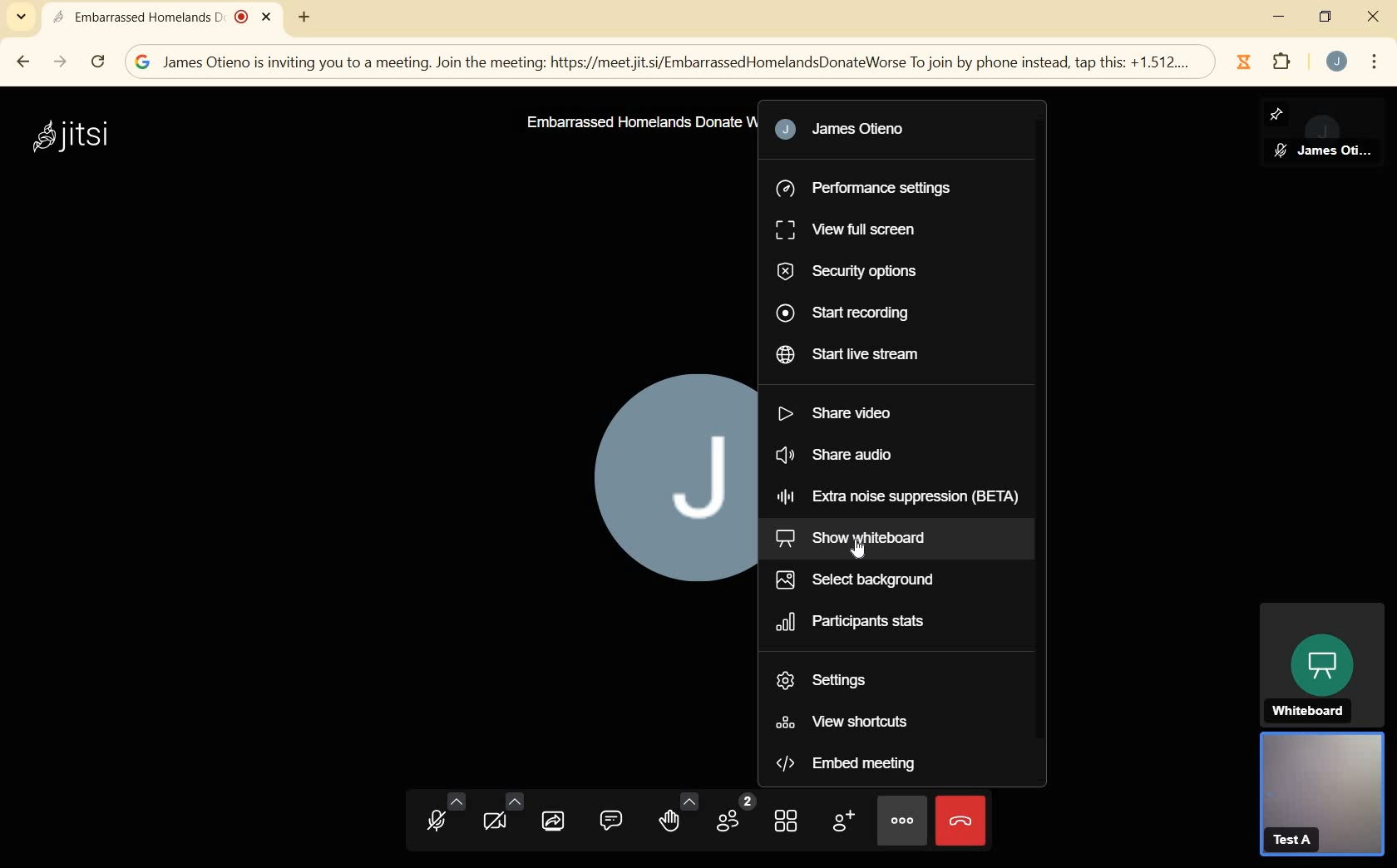  Describe the element at coordinates (637, 122) in the screenshot. I see `Embarrassed Homelands Donate Worse` at that location.